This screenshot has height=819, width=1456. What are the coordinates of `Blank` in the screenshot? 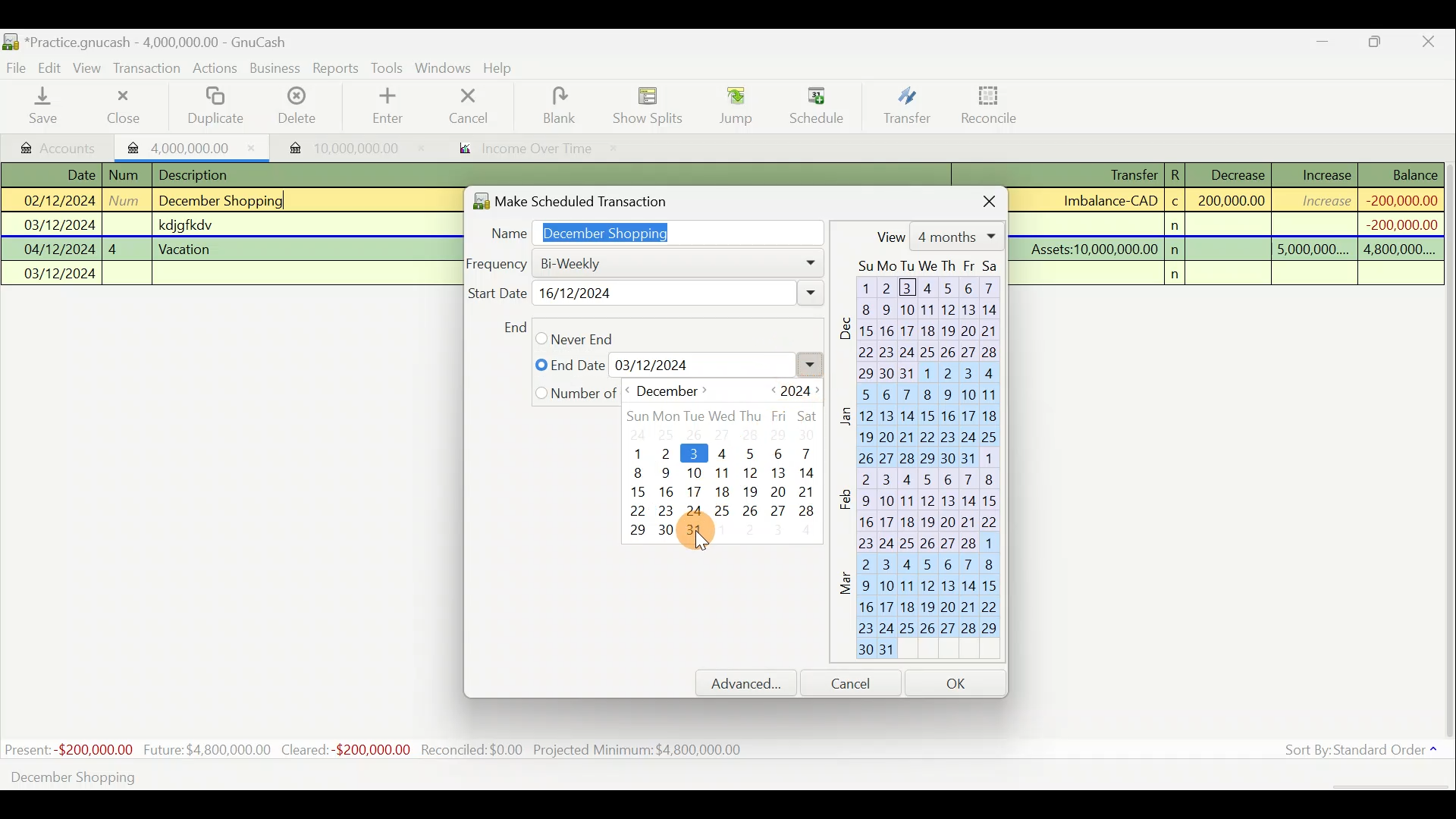 It's located at (557, 106).